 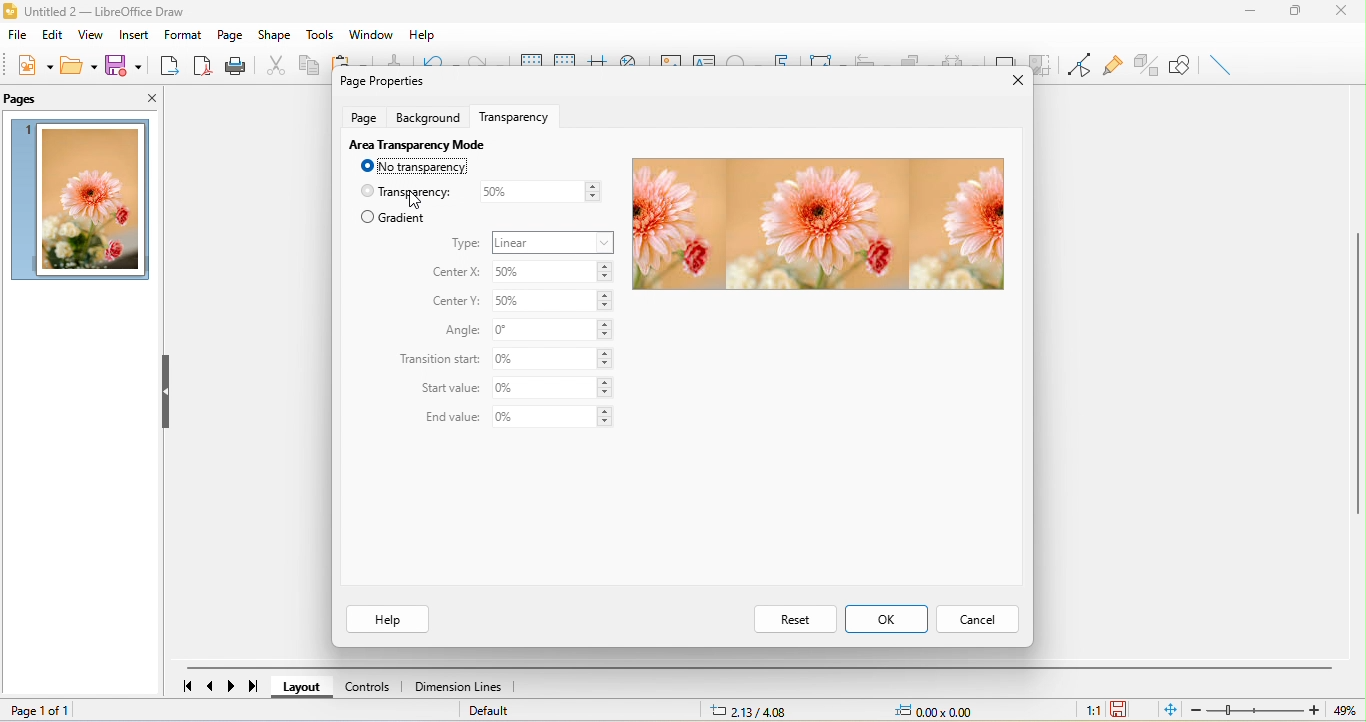 I want to click on linear, so click(x=554, y=242).